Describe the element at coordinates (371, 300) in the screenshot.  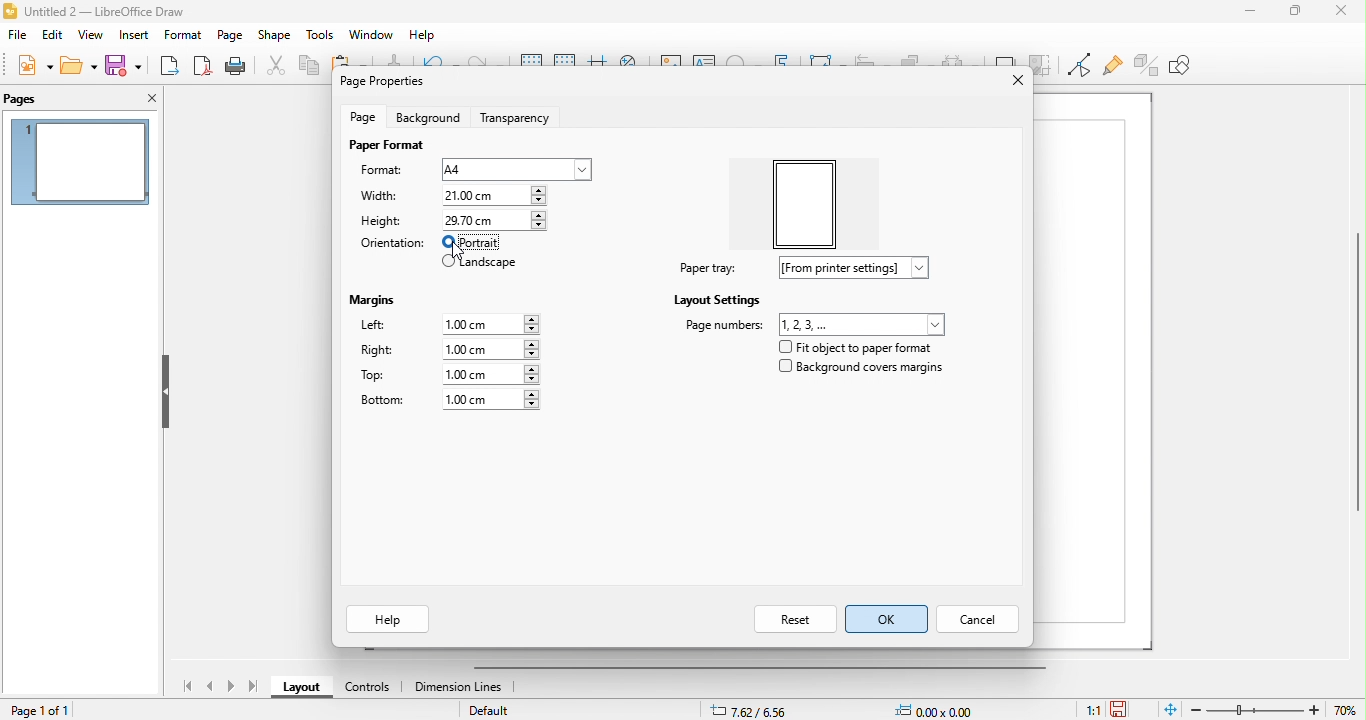
I see `margins` at that location.